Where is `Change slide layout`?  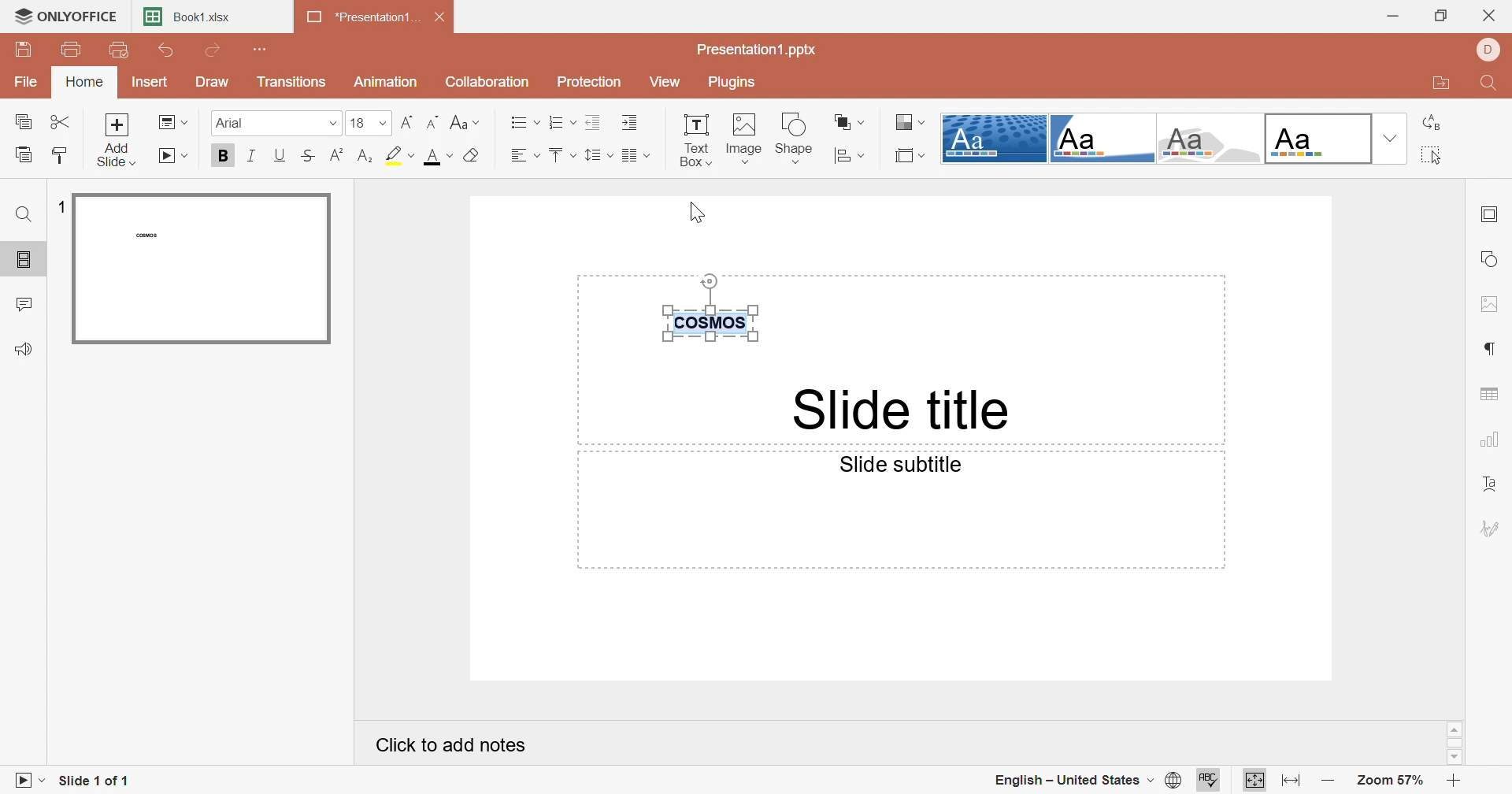
Change slide layout is located at coordinates (169, 123).